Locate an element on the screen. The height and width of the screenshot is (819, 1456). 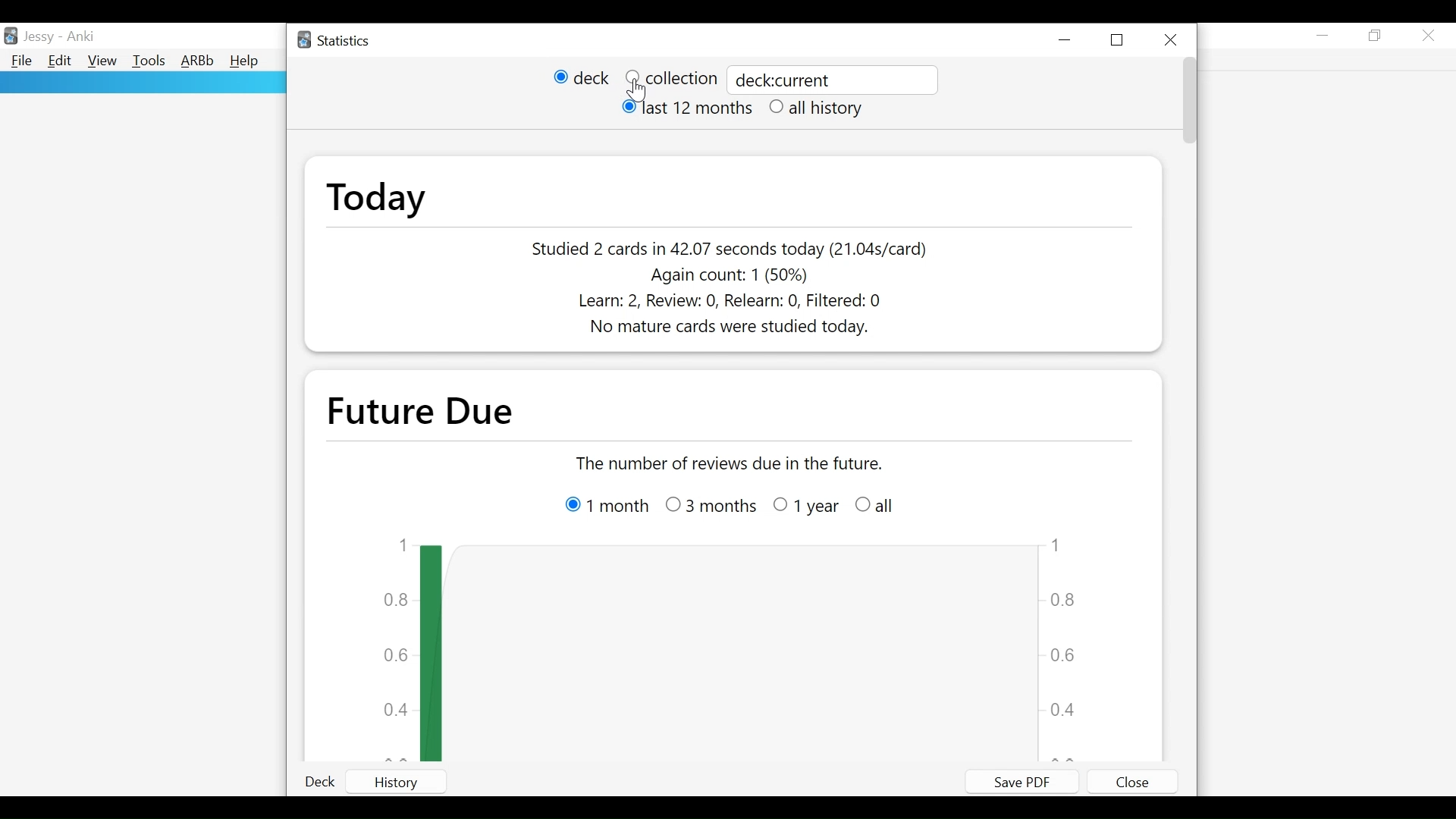
Save PDF is located at coordinates (1023, 780).